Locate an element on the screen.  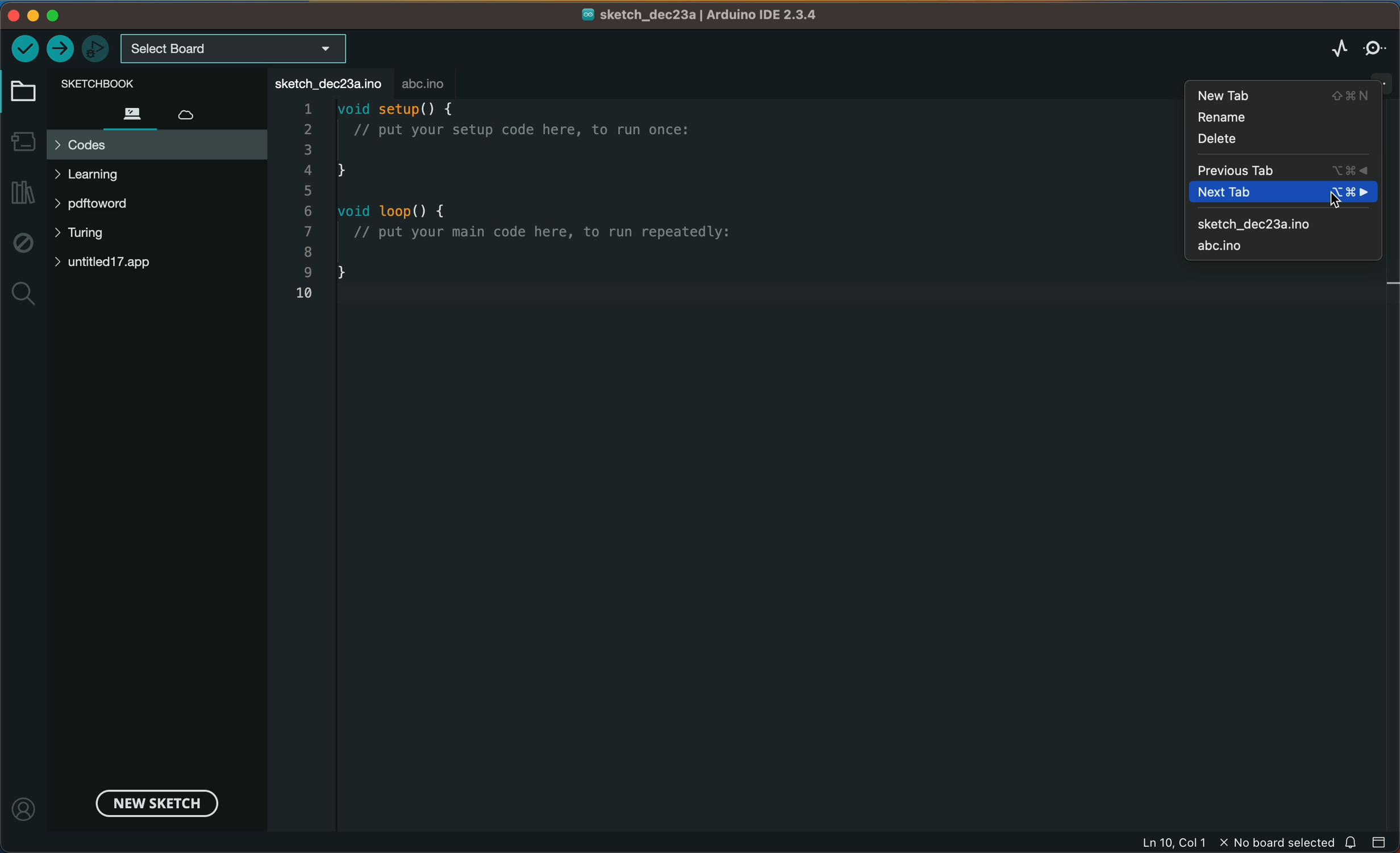
library manager is located at coordinates (21, 188).